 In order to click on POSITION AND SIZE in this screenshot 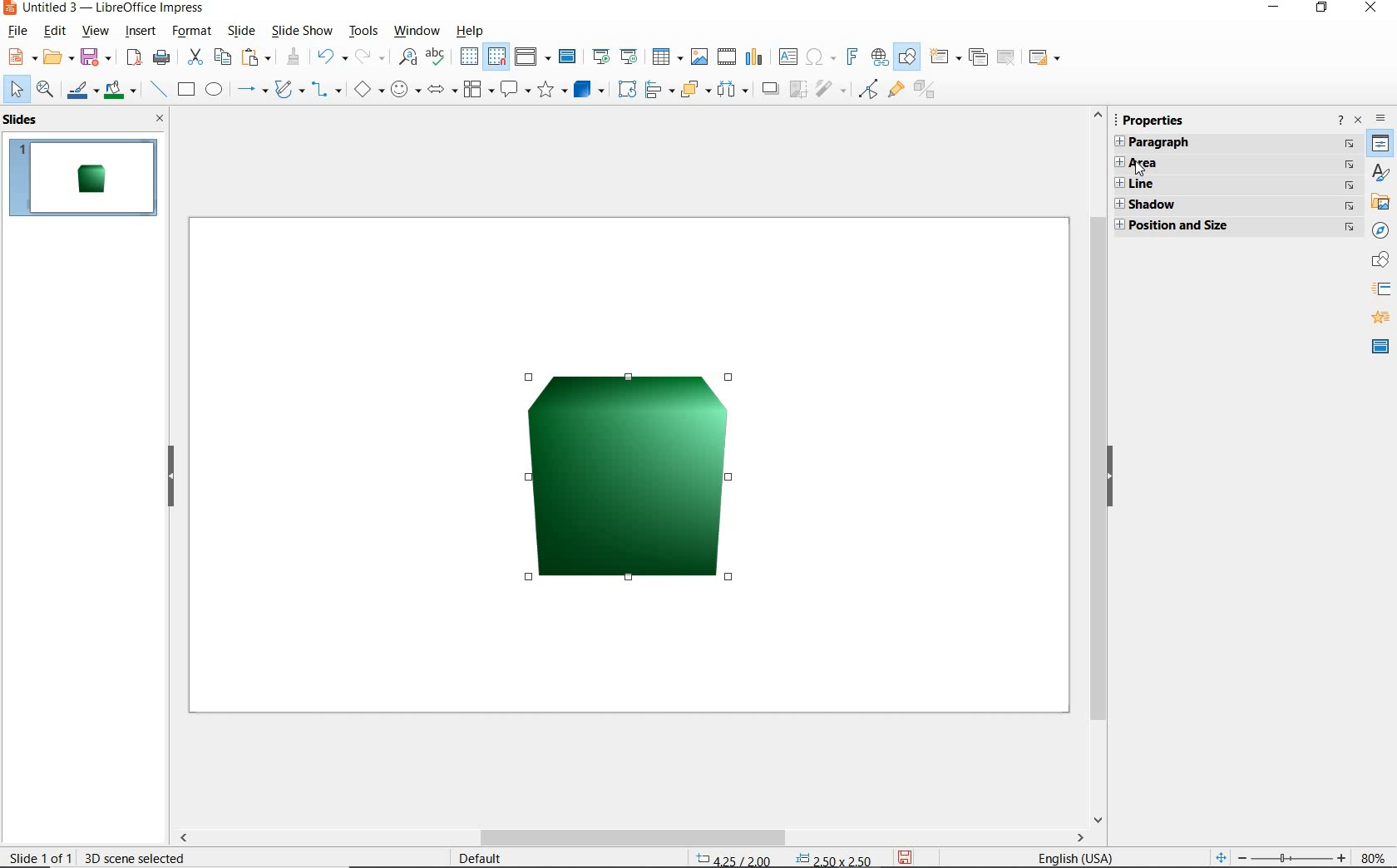, I will do `click(786, 857)`.